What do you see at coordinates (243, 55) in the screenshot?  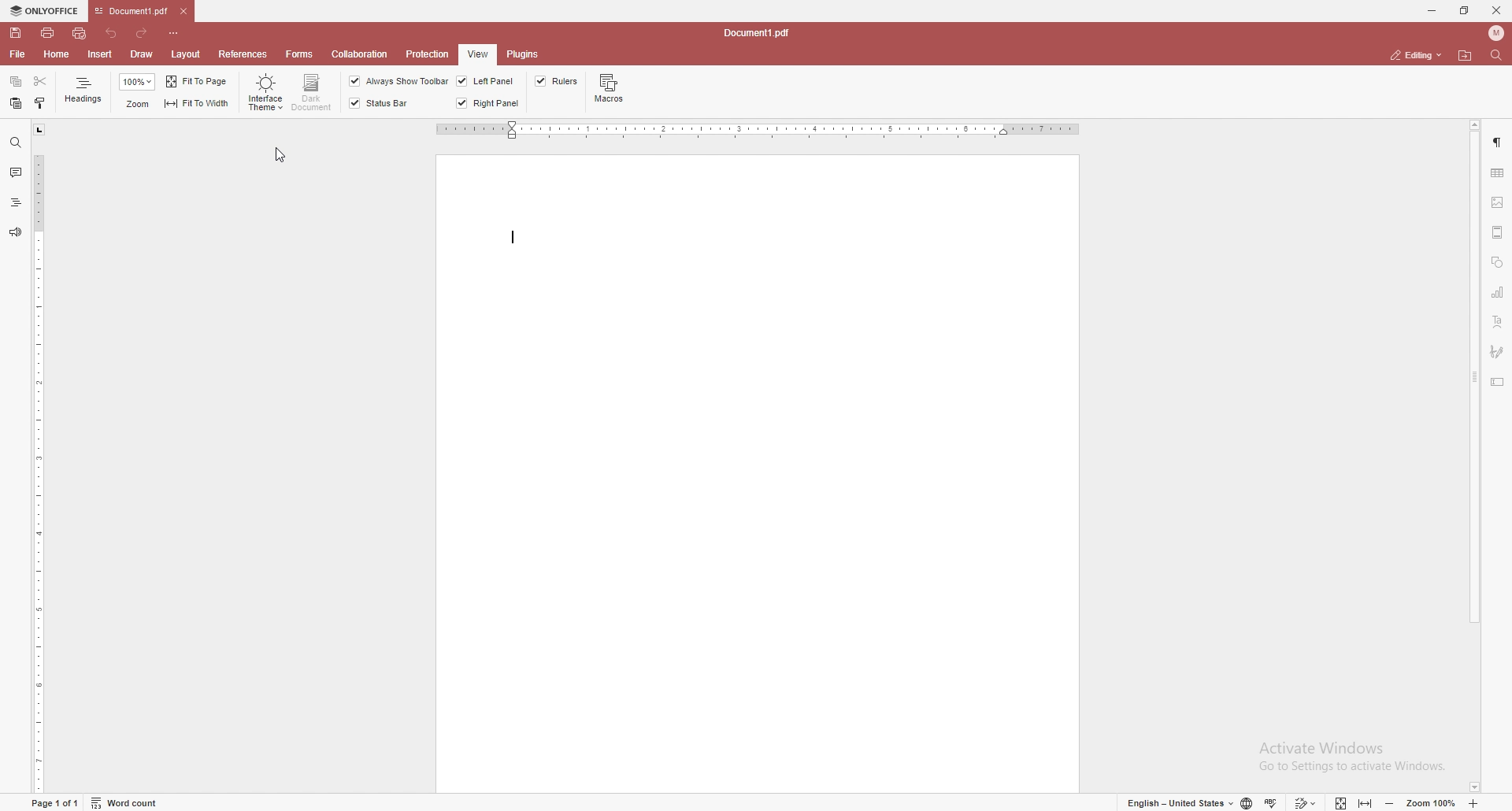 I see `references` at bounding box center [243, 55].